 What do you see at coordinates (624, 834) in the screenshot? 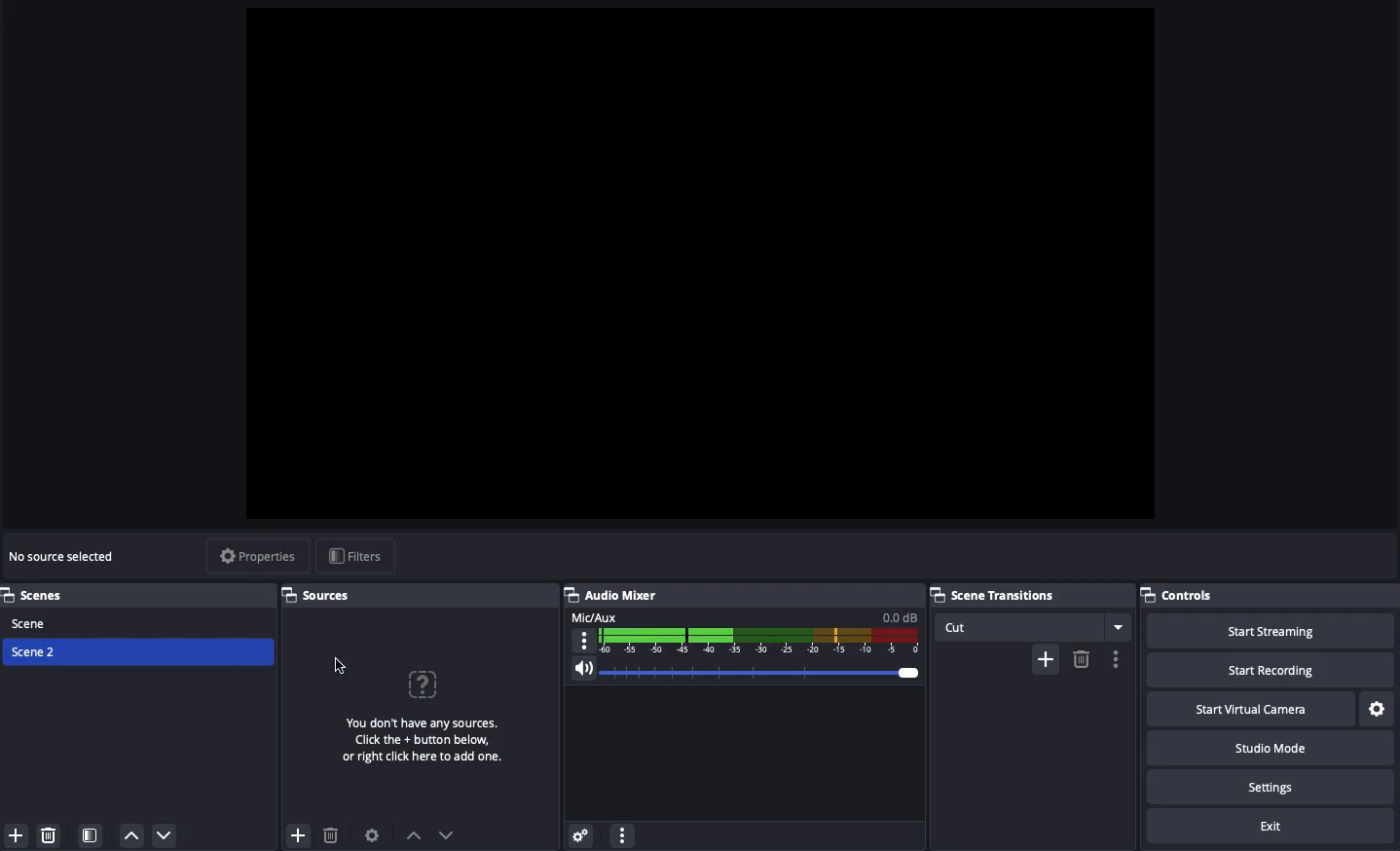
I see `Options` at bounding box center [624, 834].